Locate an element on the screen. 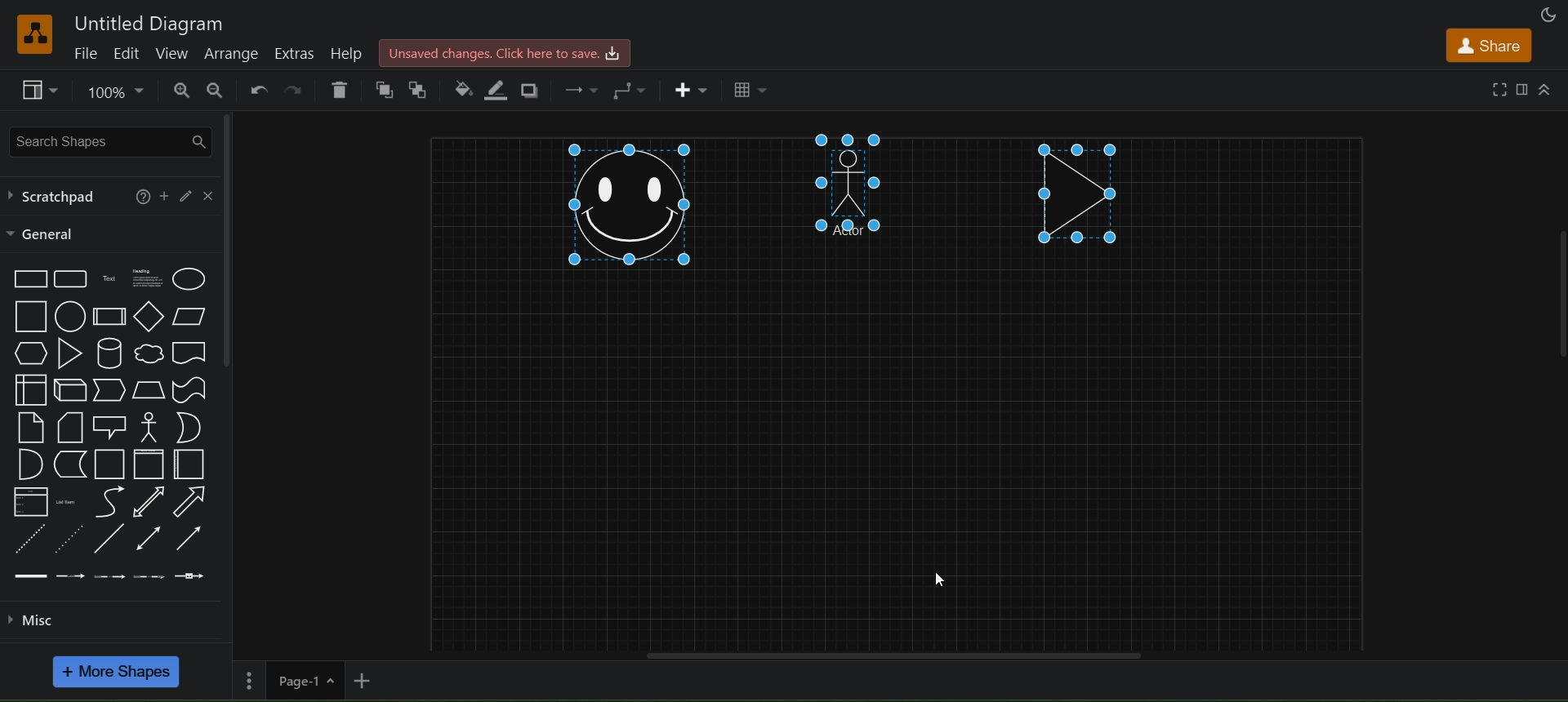 Image resolution: width=1568 pixels, height=702 pixels. misc is located at coordinates (35, 619).